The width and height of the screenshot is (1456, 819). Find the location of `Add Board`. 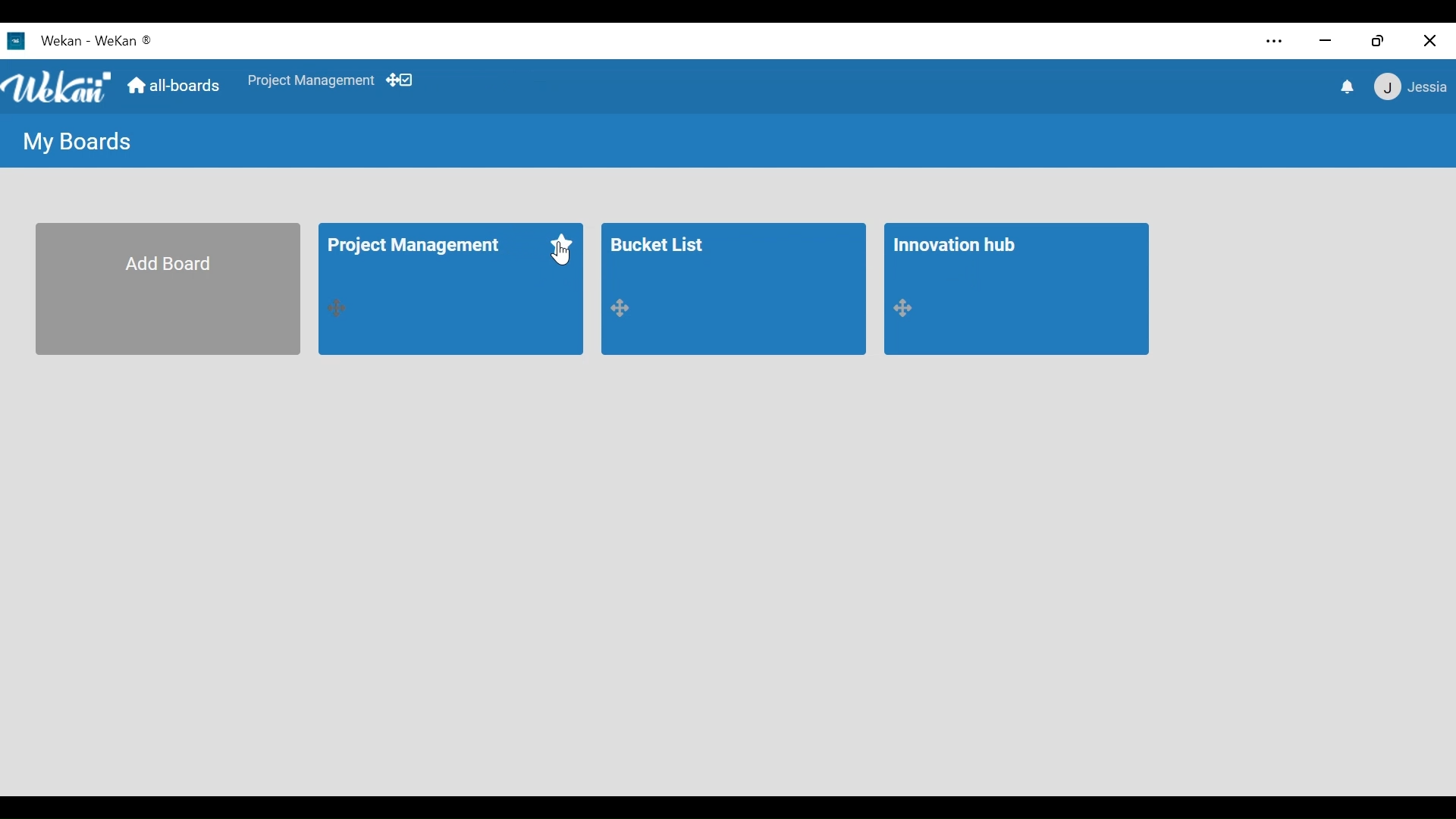

Add Board is located at coordinates (168, 290).